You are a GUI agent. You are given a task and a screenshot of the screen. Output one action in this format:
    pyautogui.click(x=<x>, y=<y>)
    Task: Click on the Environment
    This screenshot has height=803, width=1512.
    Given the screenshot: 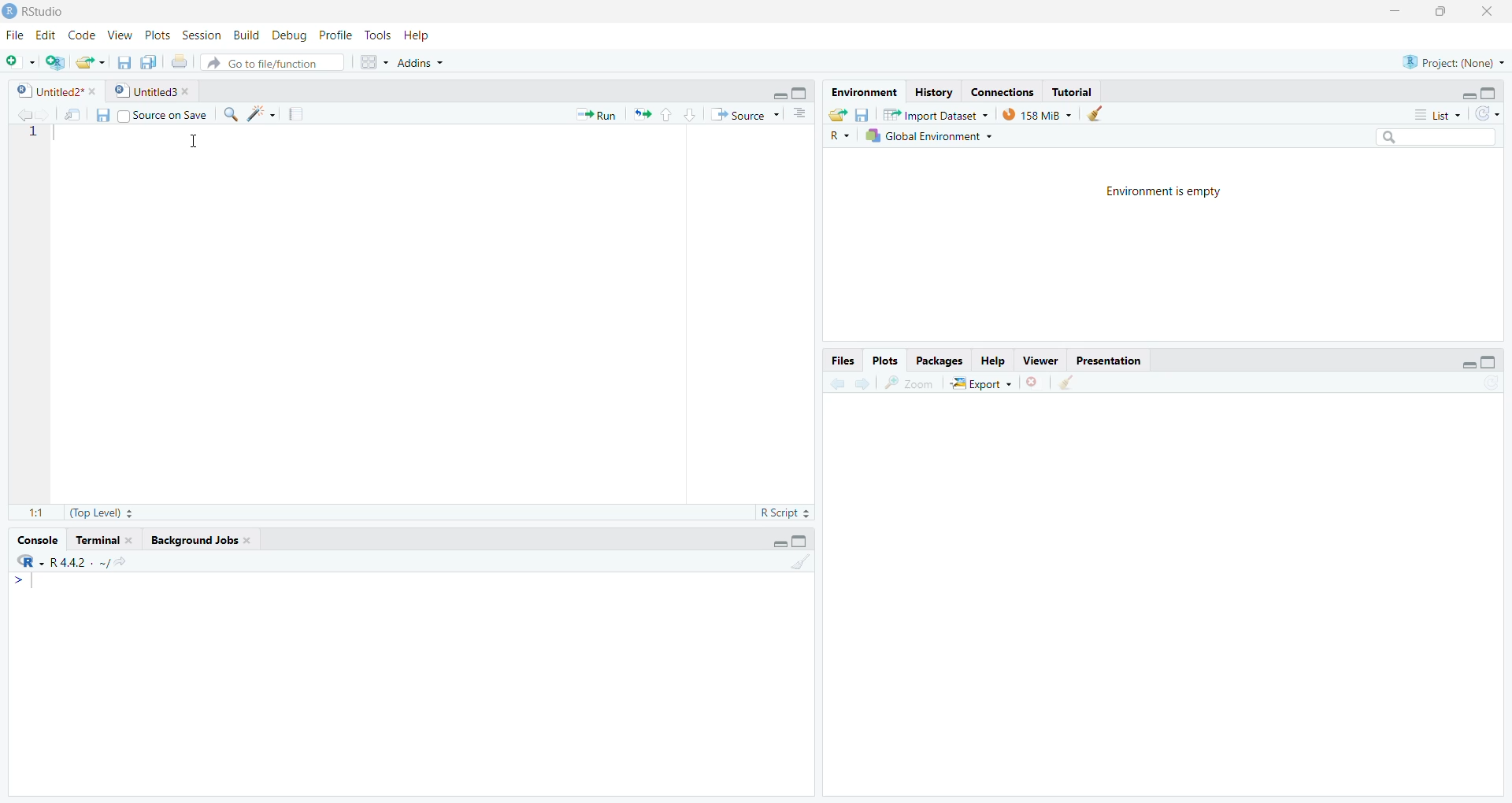 What is the action you would take?
    pyautogui.click(x=862, y=91)
    